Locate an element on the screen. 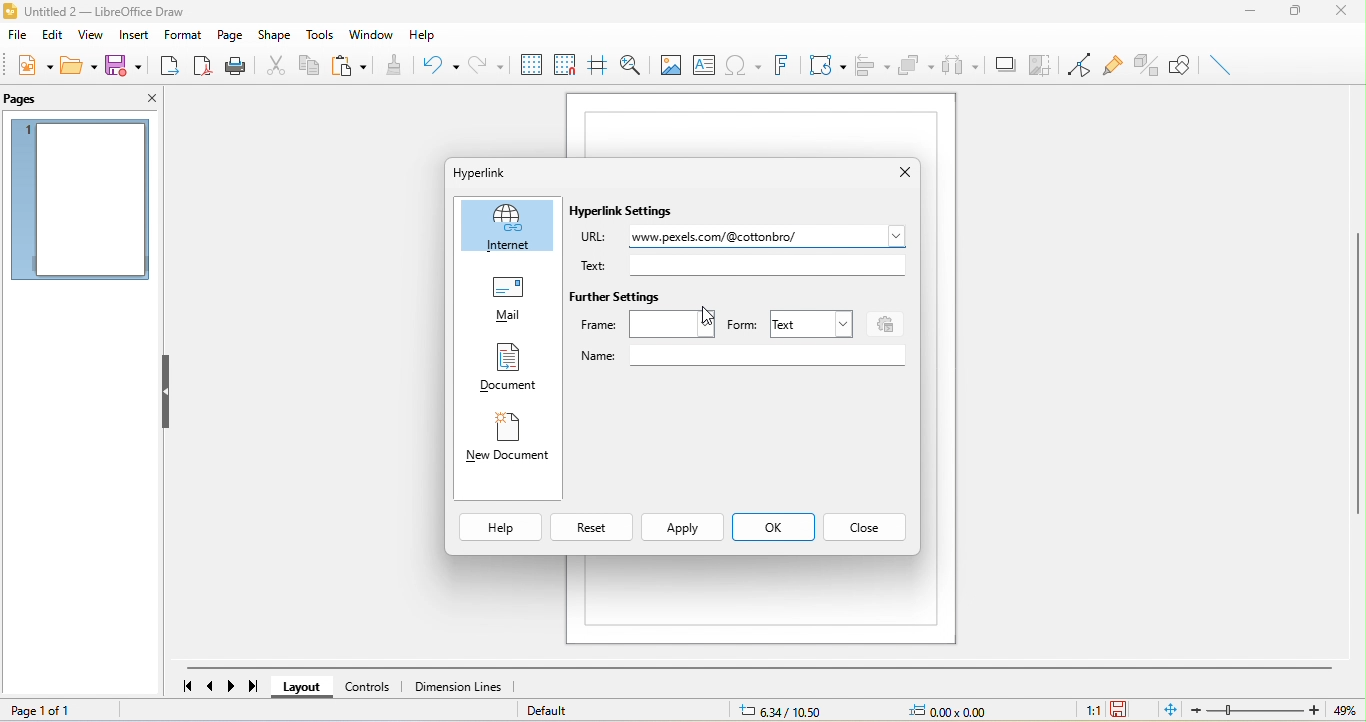 The image size is (1366, 722). mail is located at coordinates (506, 297).